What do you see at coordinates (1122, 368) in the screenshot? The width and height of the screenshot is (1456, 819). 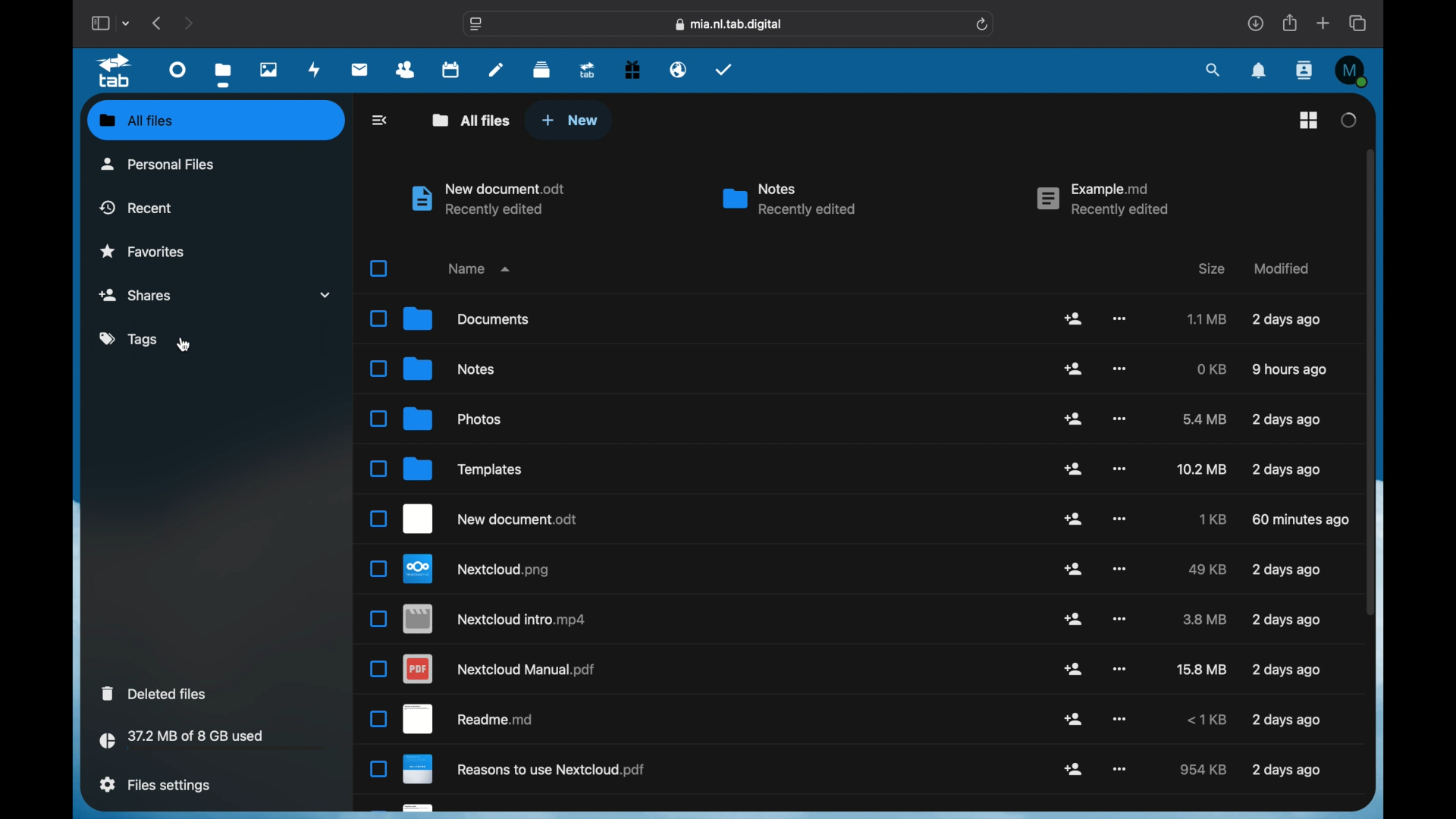 I see `more options` at bounding box center [1122, 368].